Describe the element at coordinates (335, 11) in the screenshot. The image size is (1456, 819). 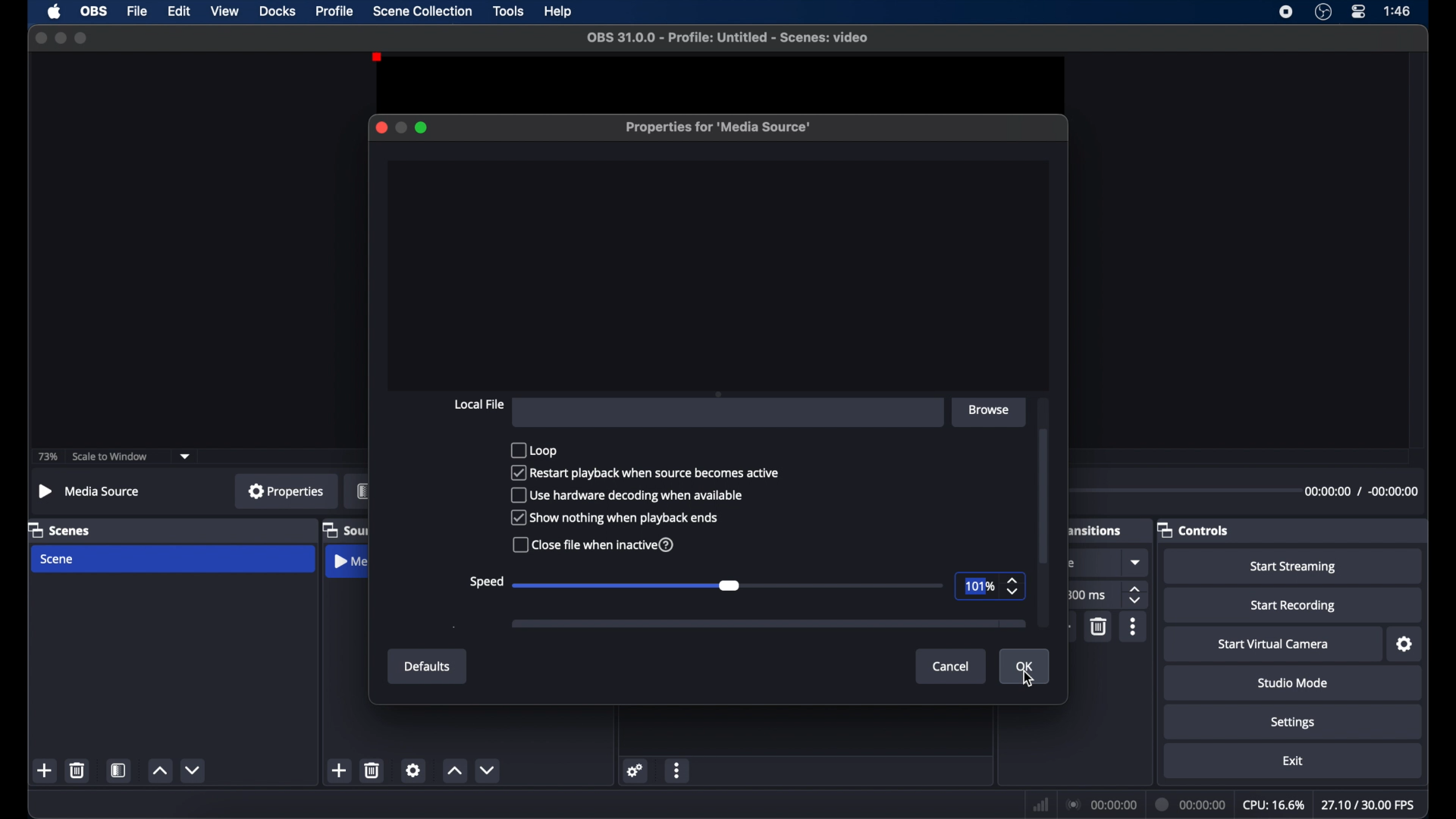
I see `profile` at that location.